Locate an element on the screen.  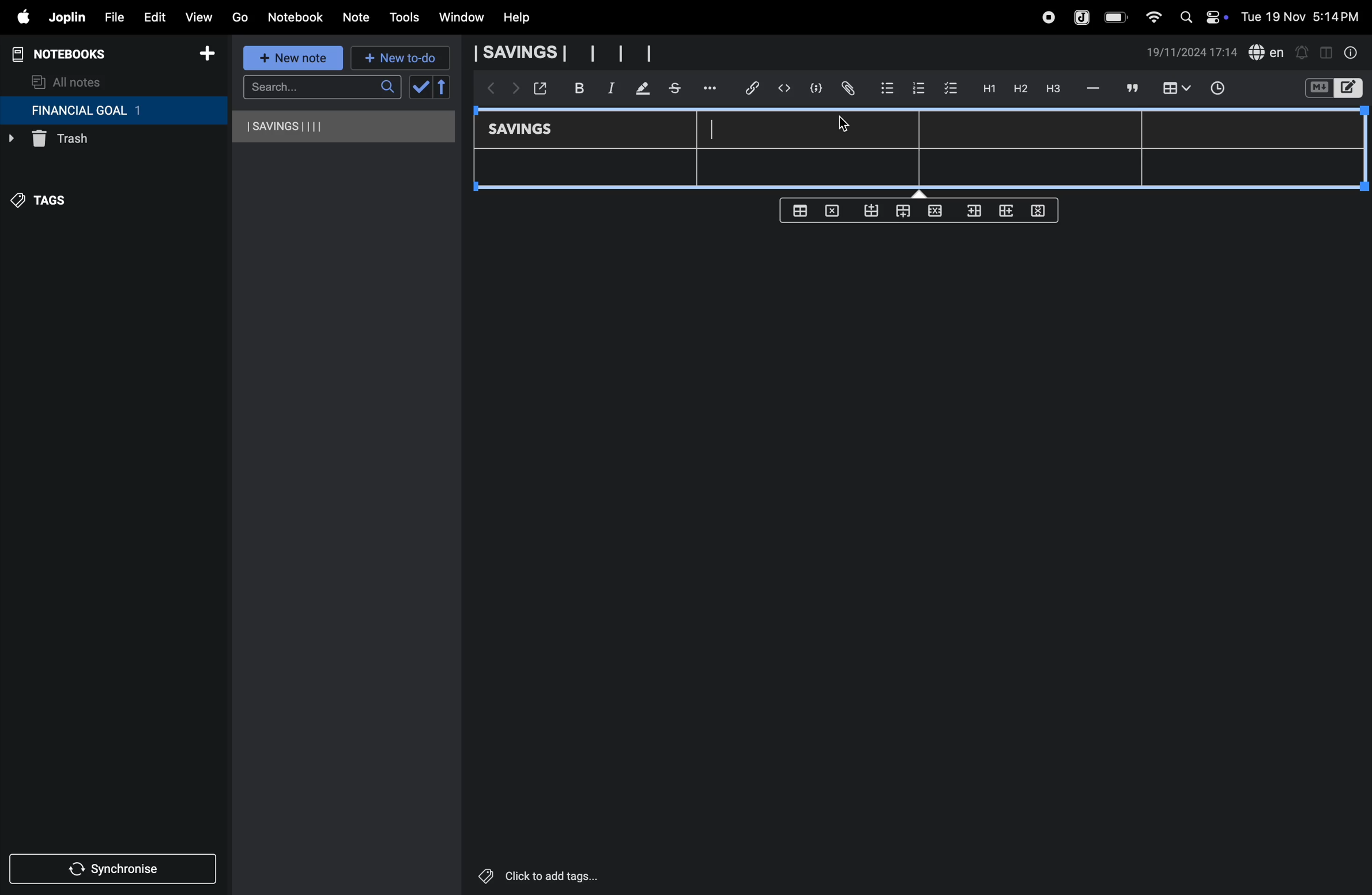
time is located at coordinates (1225, 89).